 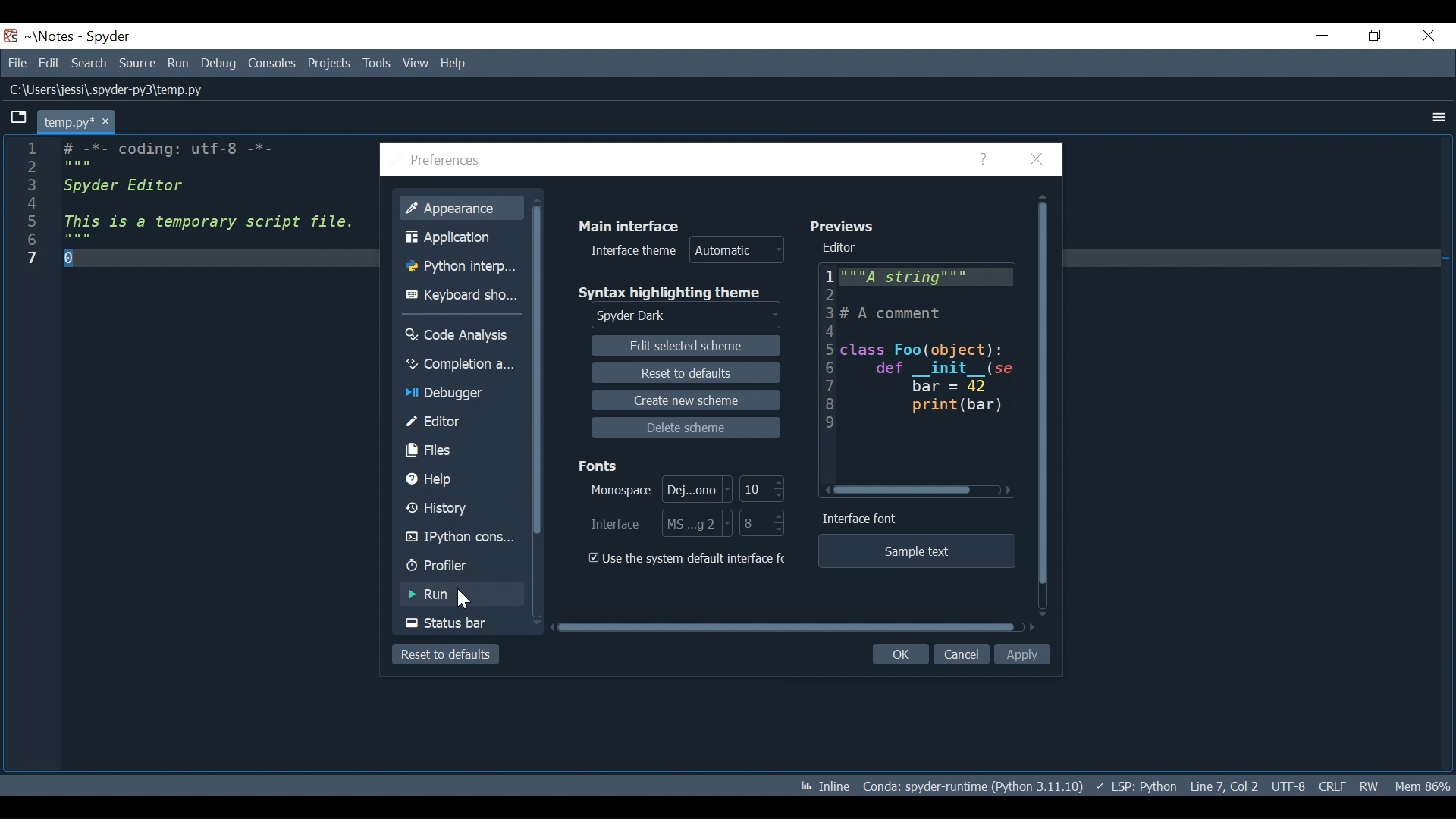 What do you see at coordinates (453, 421) in the screenshot?
I see `Editor` at bounding box center [453, 421].